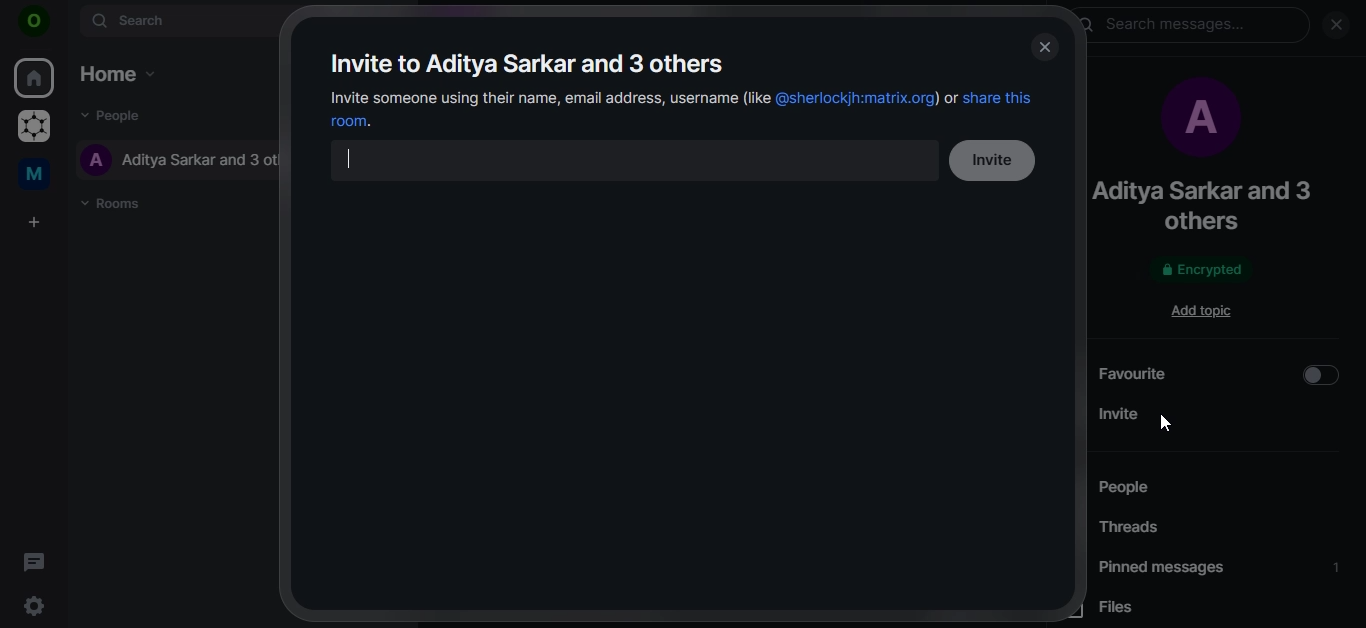  Describe the element at coordinates (1215, 205) in the screenshot. I see `aditya sarkar and 3 others` at that location.